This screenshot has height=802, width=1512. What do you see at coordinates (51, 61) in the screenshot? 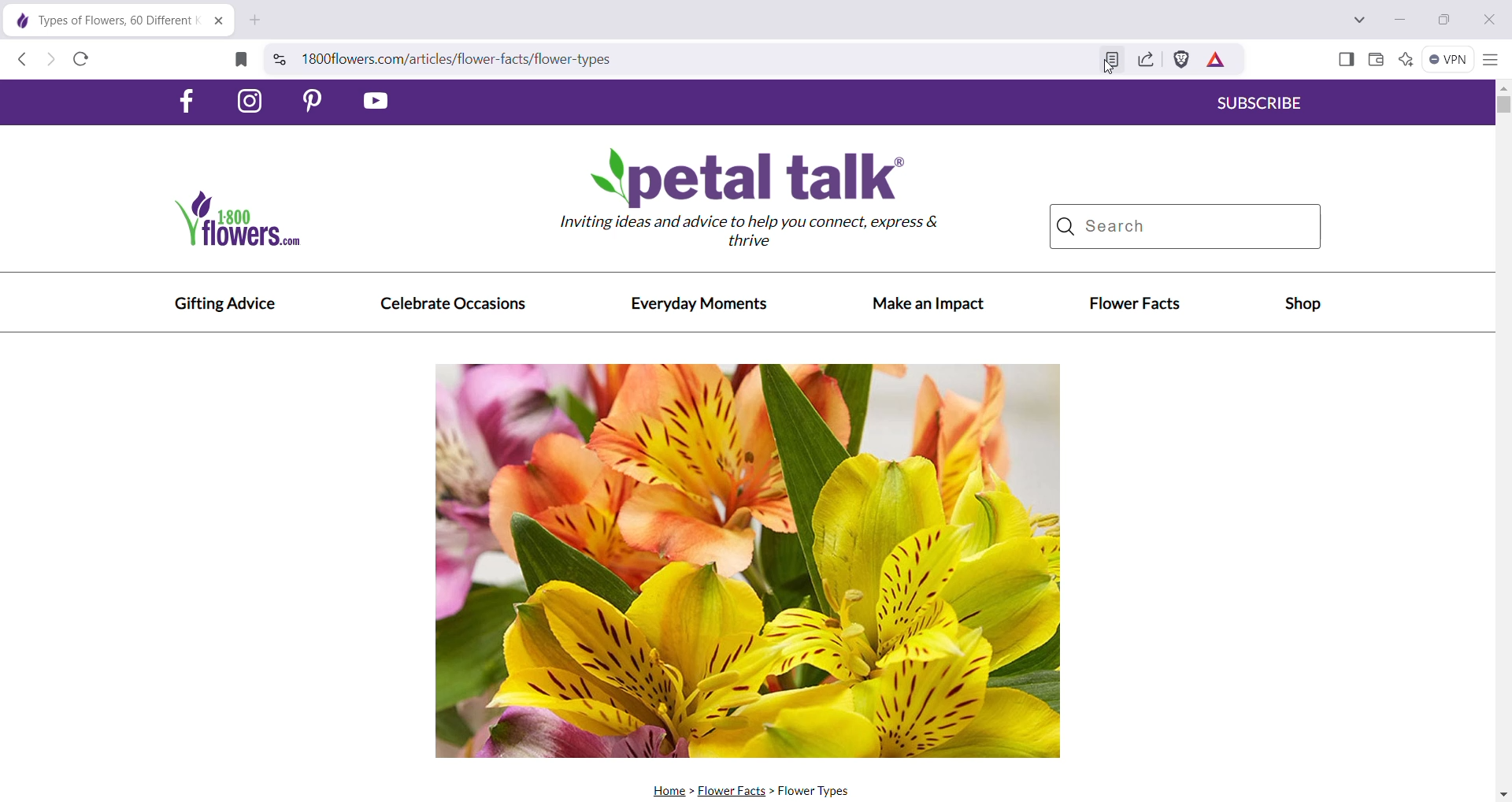
I see `Click to go forward, hold to see history` at bounding box center [51, 61].